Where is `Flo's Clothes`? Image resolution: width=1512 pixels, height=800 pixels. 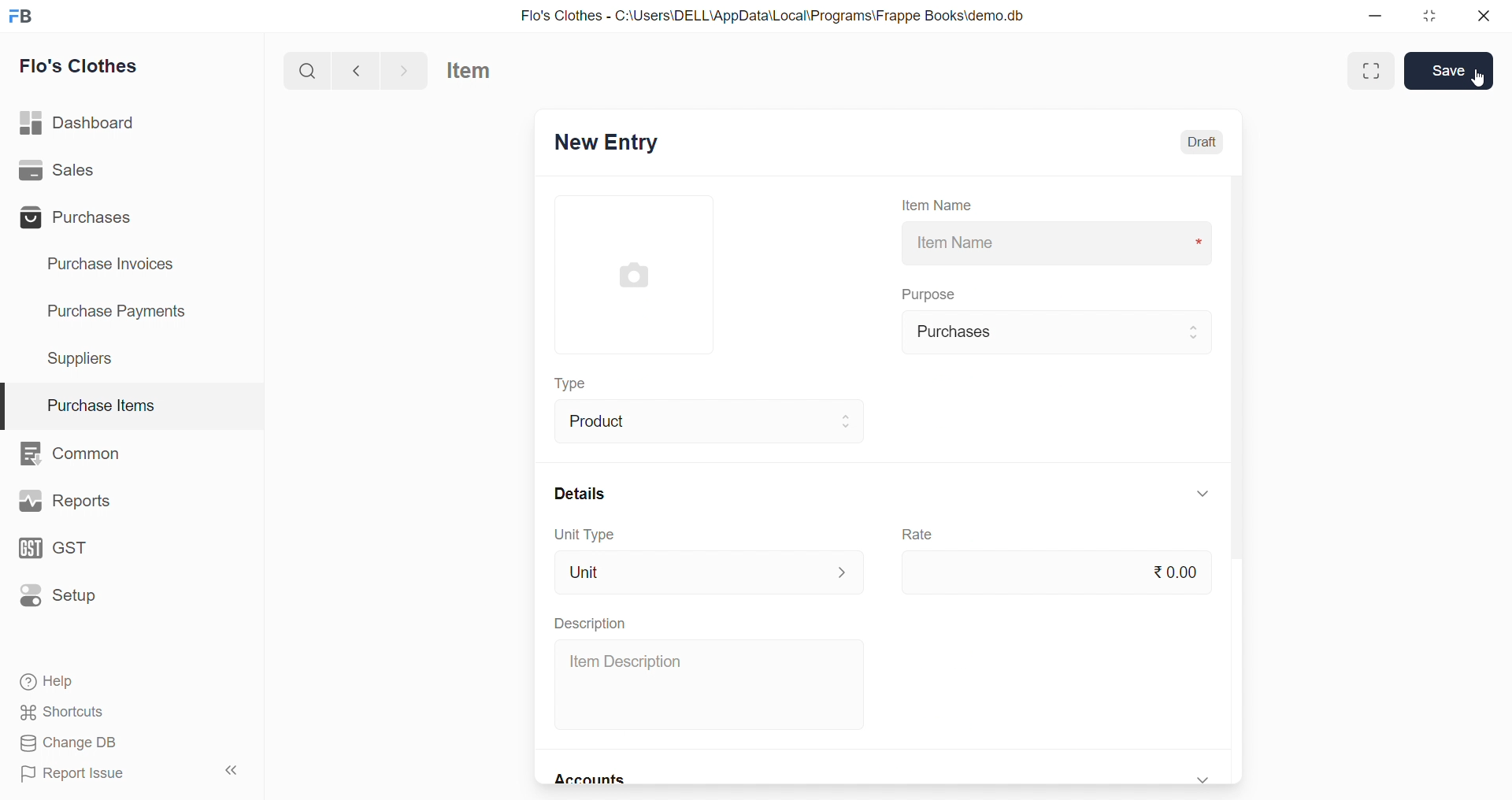
Flo's Clothes is located at coordinates (88, 66).